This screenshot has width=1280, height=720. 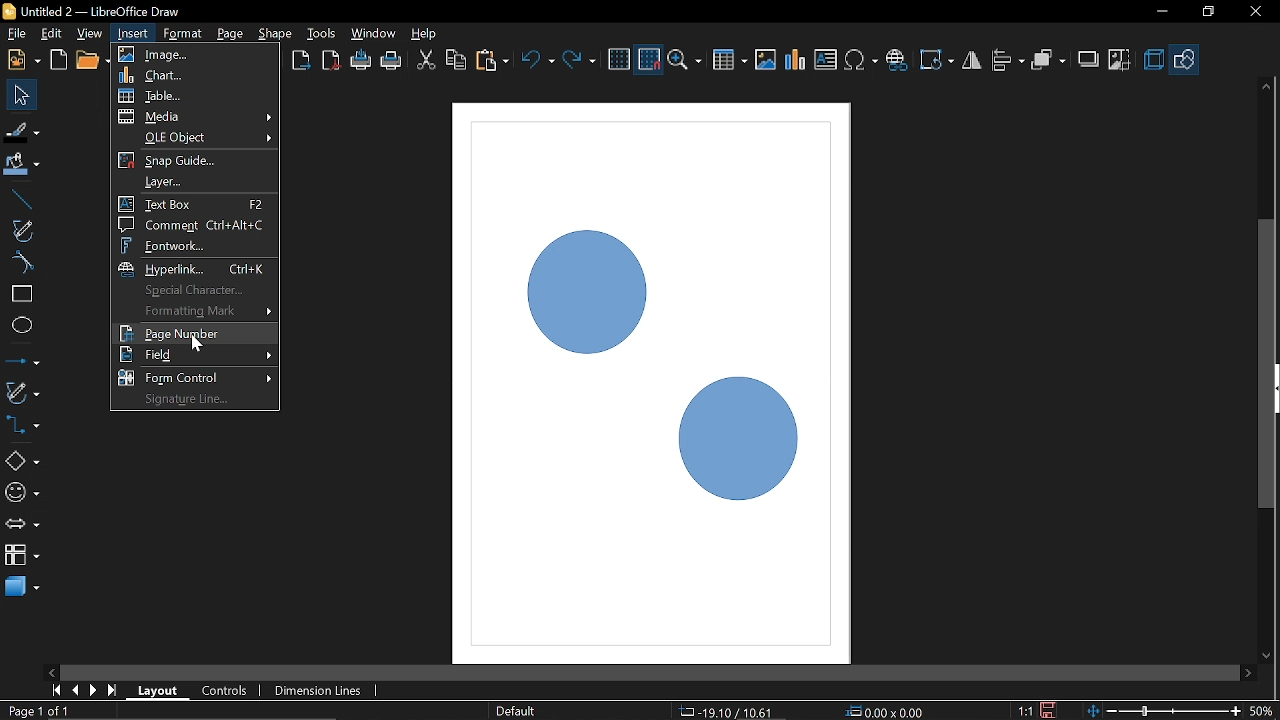 What do you see at coordinates (228, 32) in the screenshot?
I see `Page` at bounding box center [228, 32].